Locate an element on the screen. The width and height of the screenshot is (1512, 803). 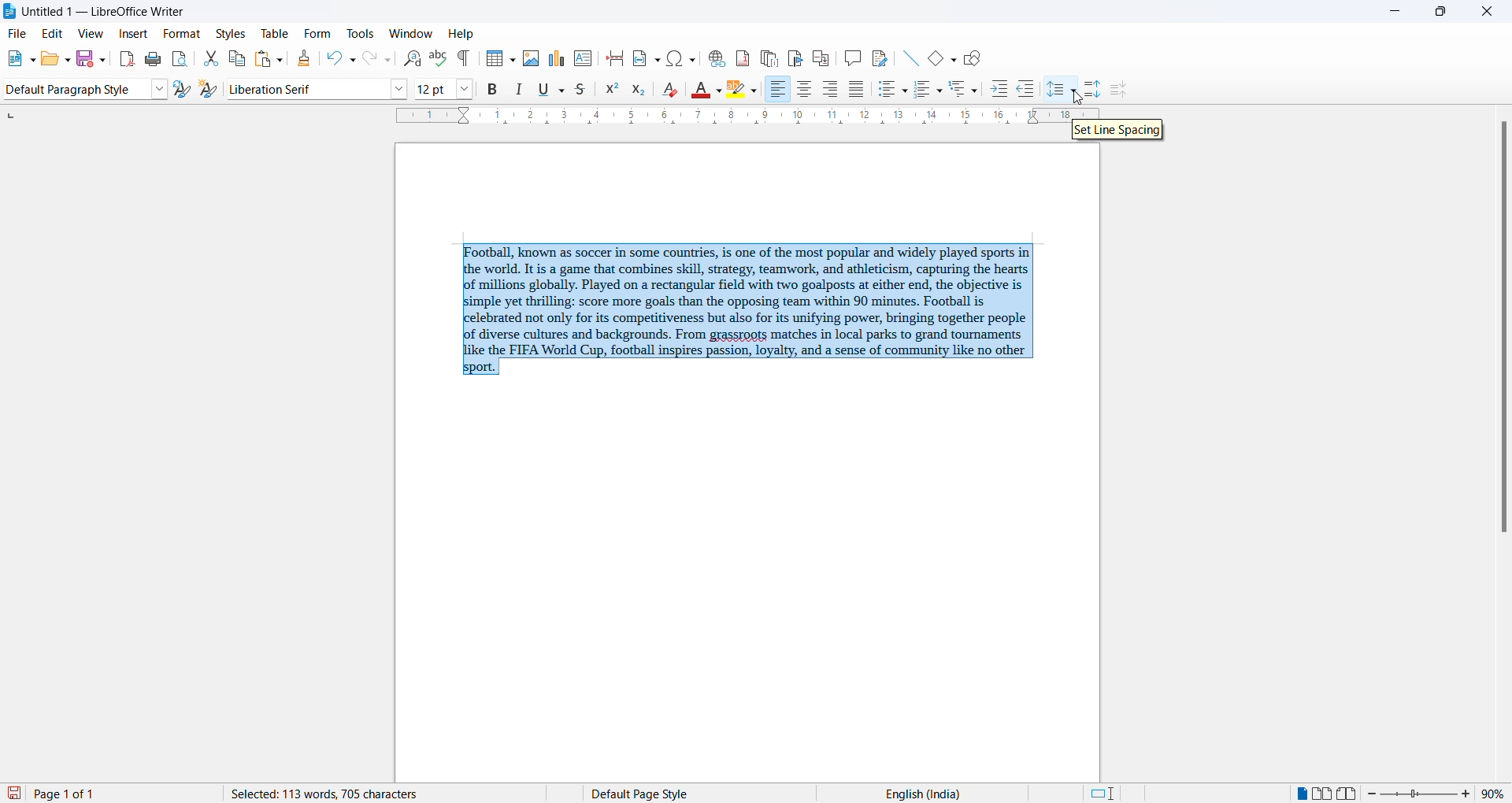
line is located at coordinates (908, 58).